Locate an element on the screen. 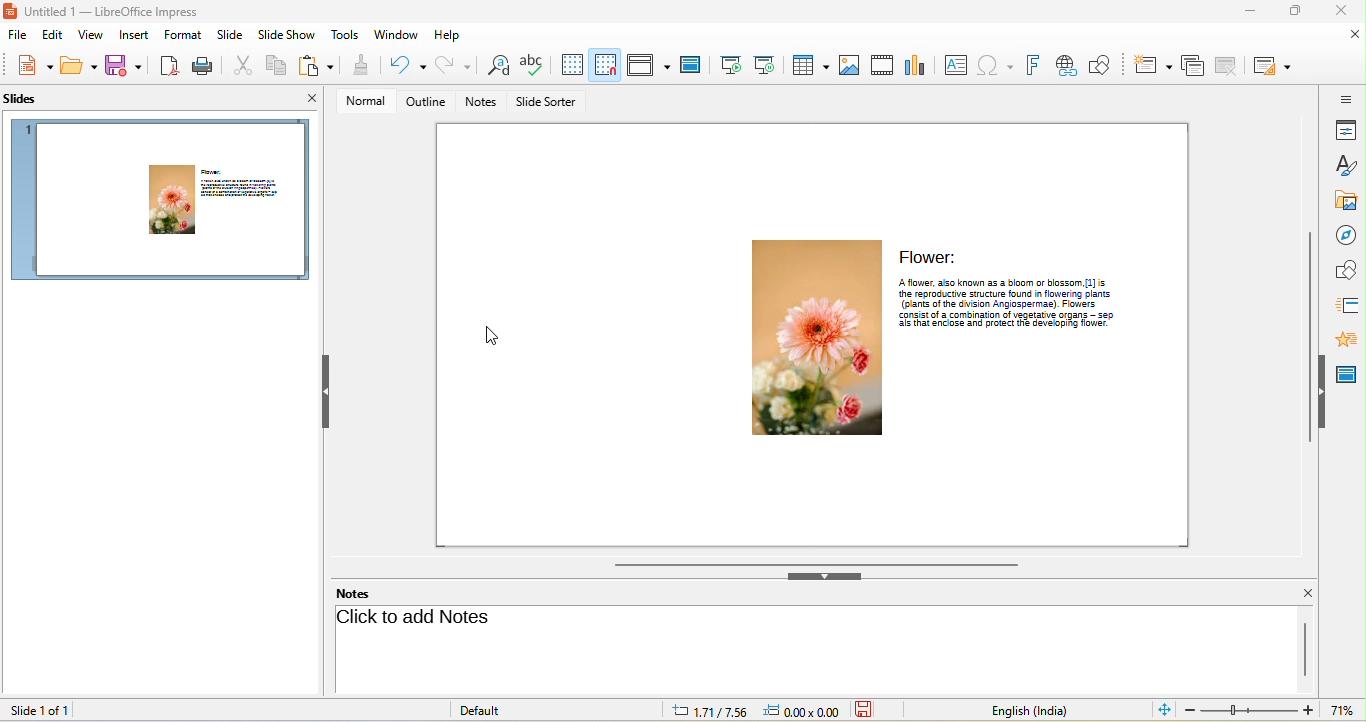 The image size is (1366, 722). start from first slide is located at coordinates (730, 65).